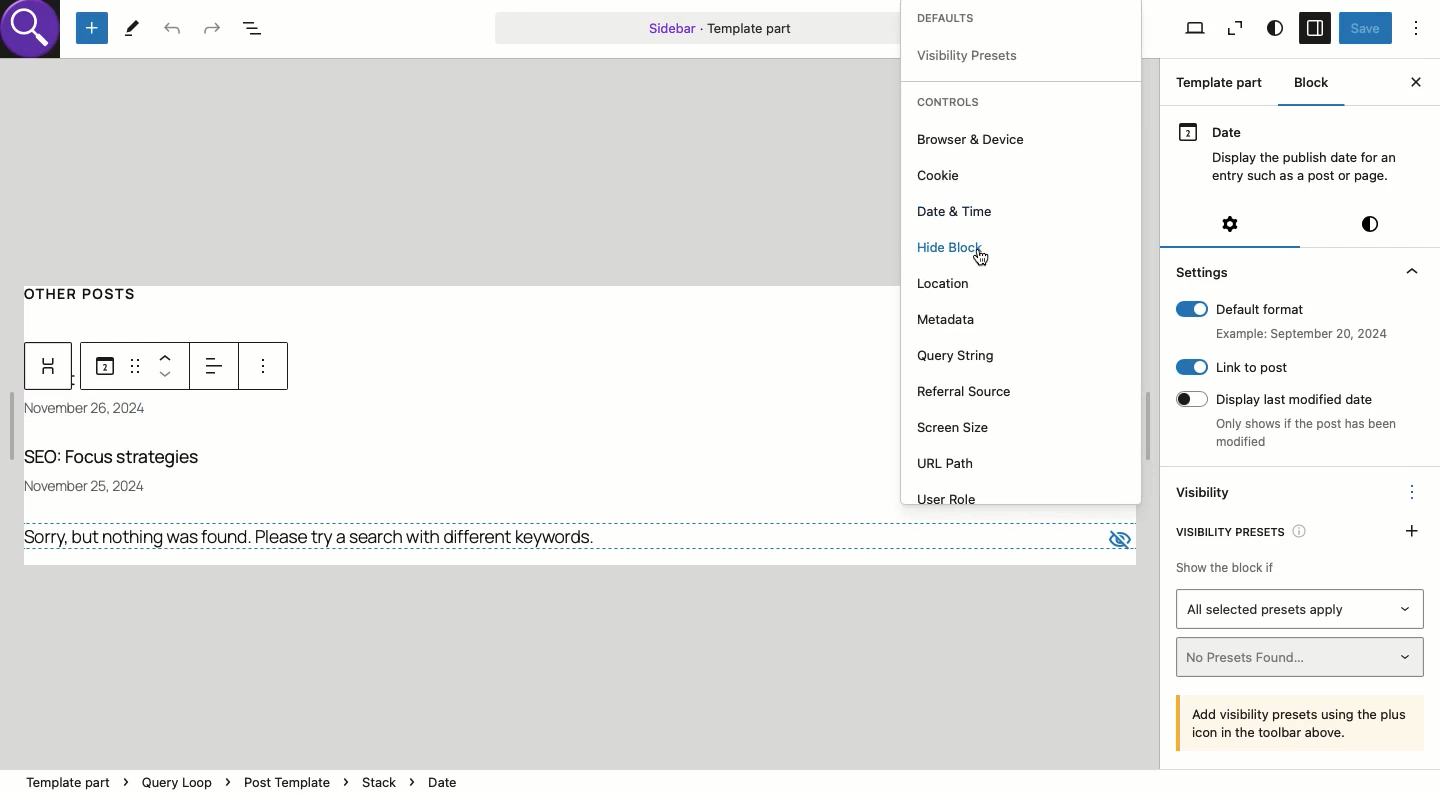 Image resolution: width=1440 pixels, height=794 pixels. Describe the element at coordinates (98, 410) in the screenshot. I see `Date` at that location.